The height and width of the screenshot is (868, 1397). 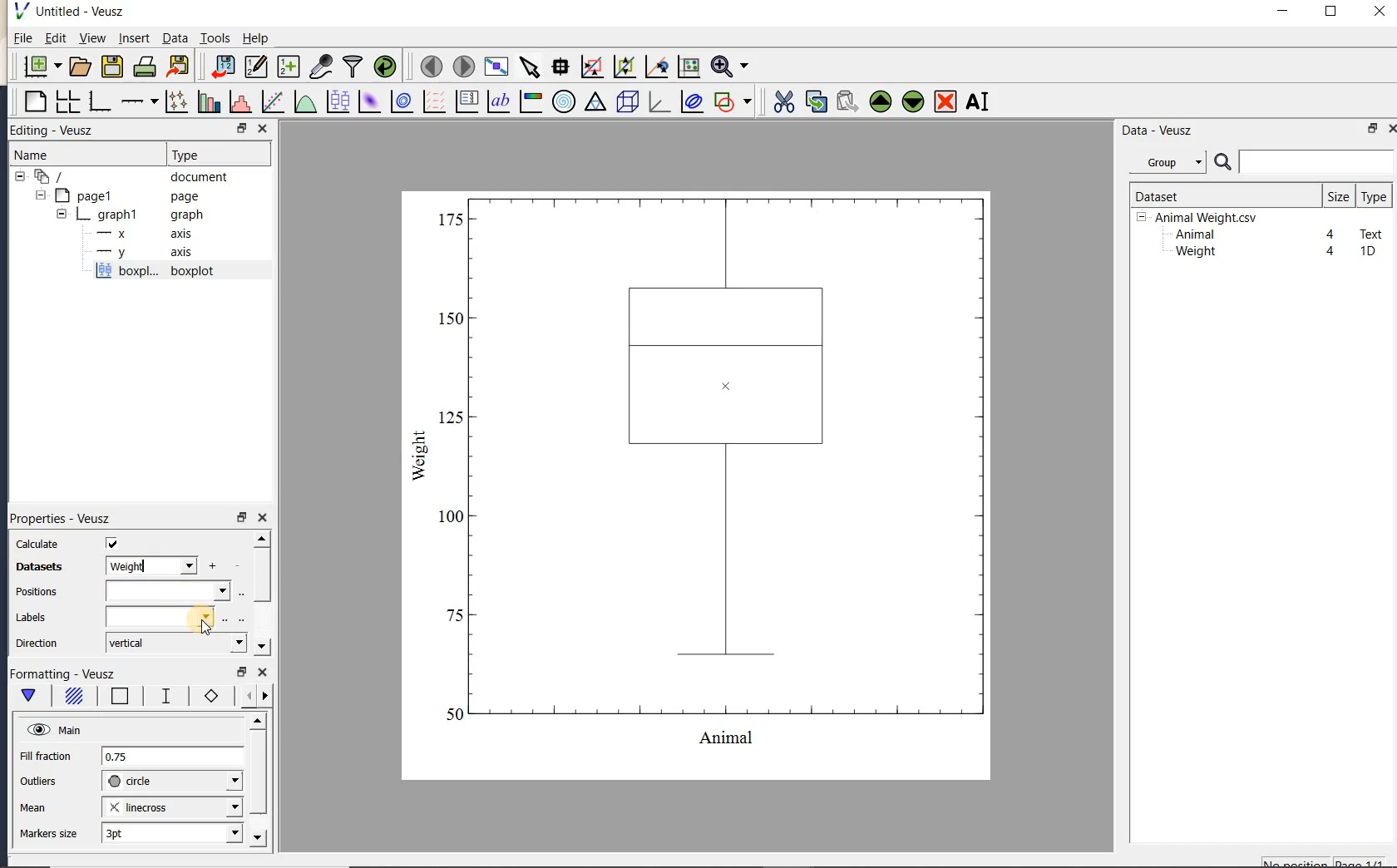 I want to click on reload linked datasets, so click(x=385, y=65).